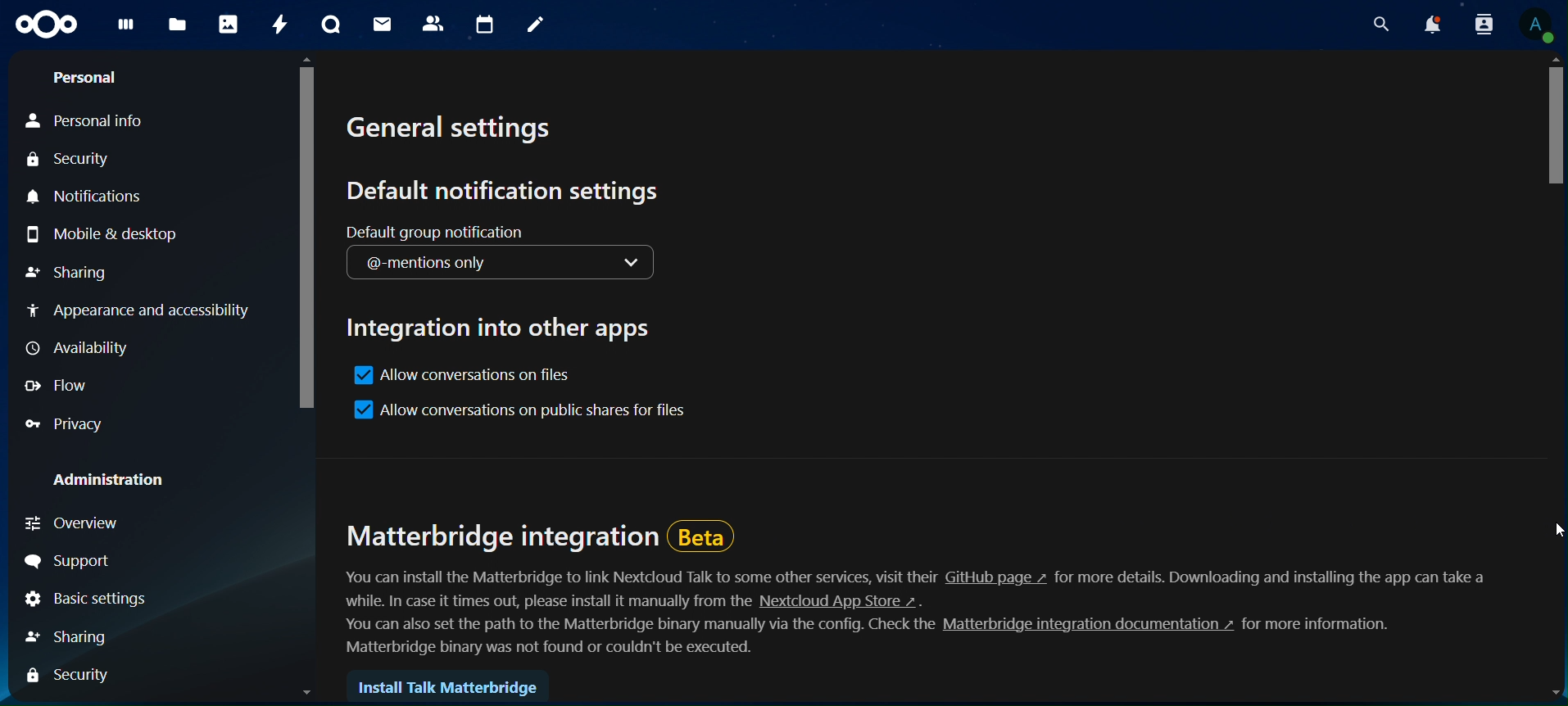 The width and height of the screenshot is (1568, 706). Describe the element at coordinates (1537, 25) in the screenshot. I see `View Profile` at that location.